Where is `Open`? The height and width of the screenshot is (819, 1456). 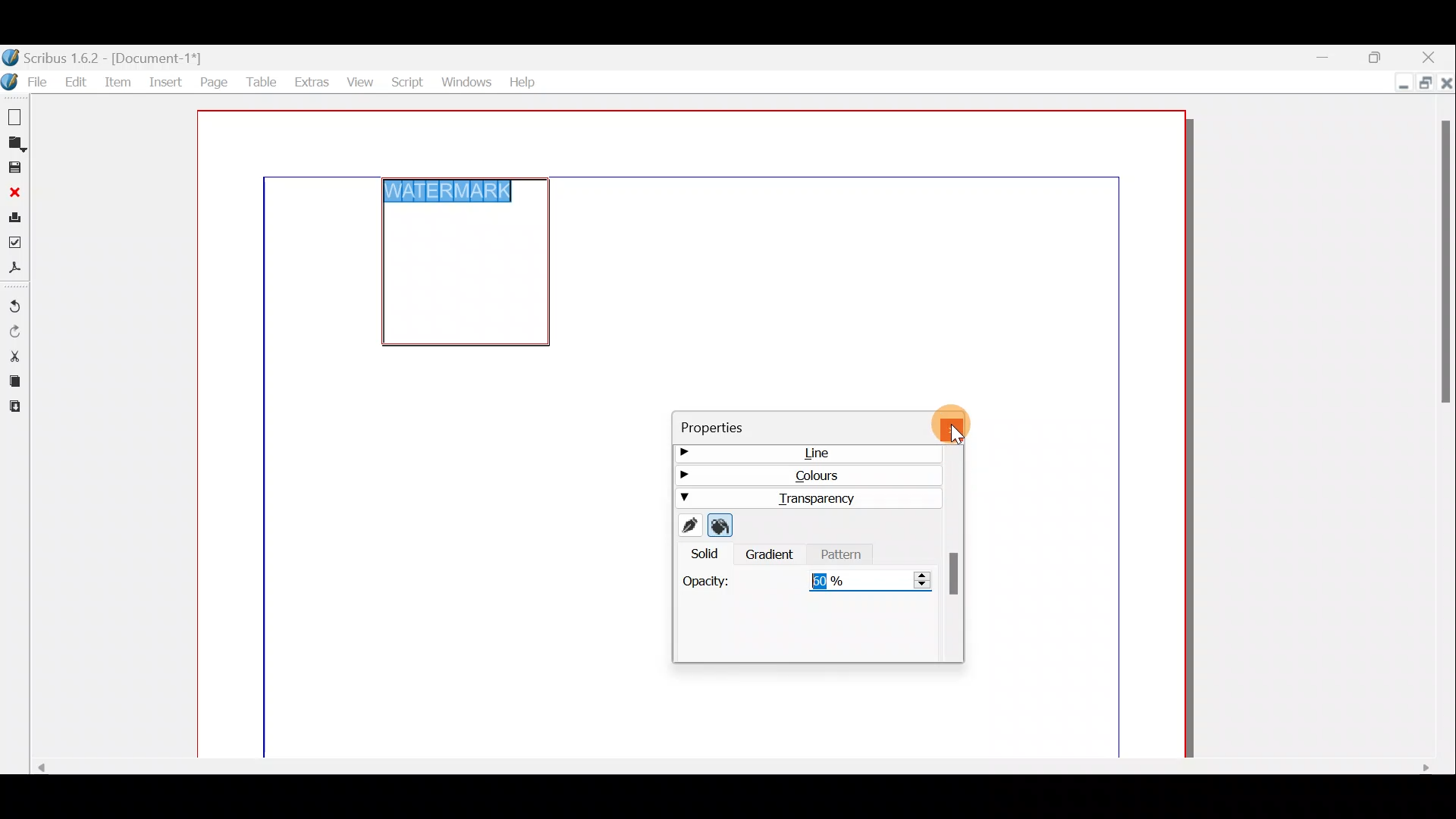
Open is located at coordinates (14, 145).